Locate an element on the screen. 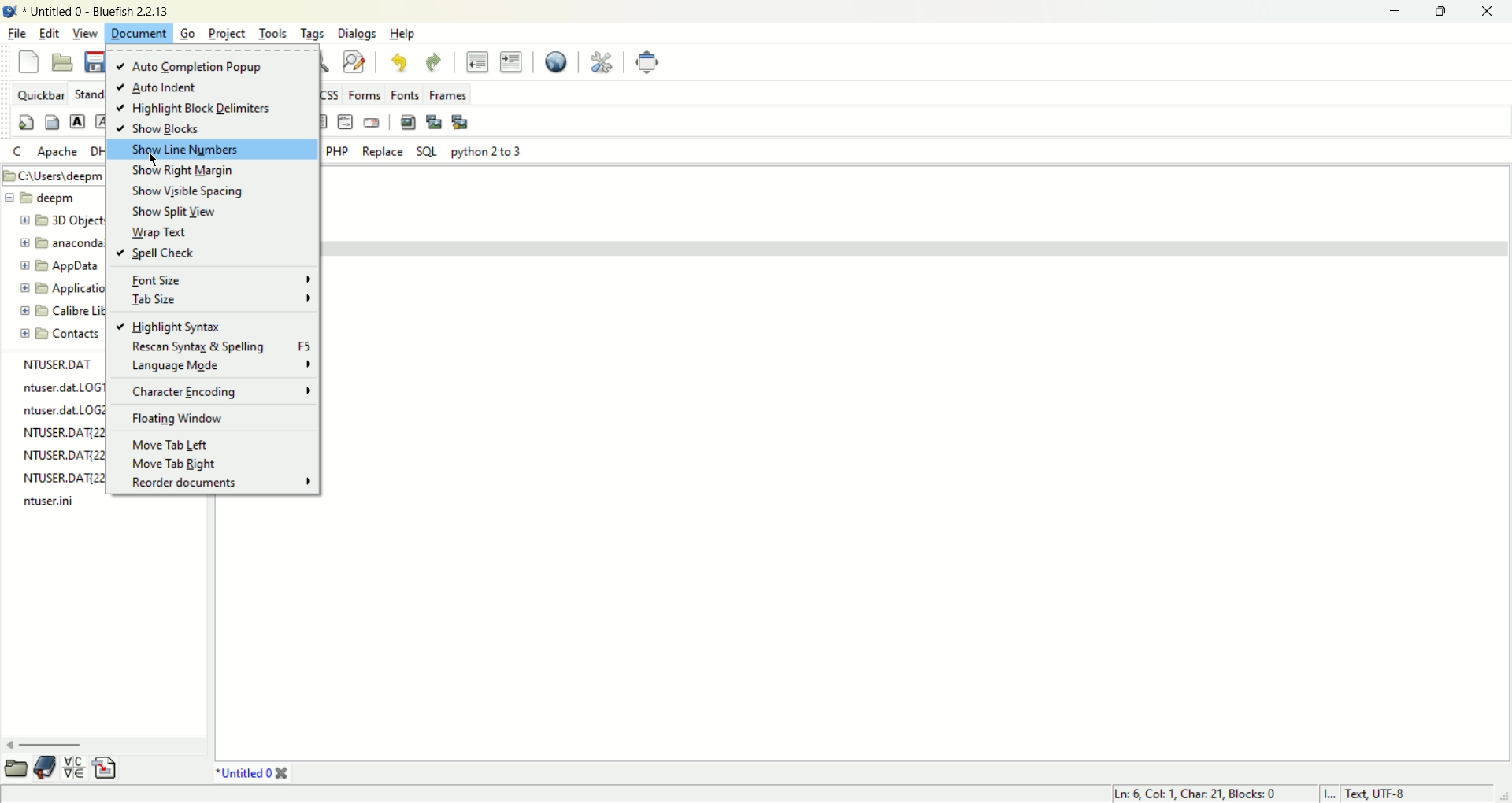 Image resolution: width=1512 pixels, height=803 pixels. NTUSER.DAT{22 is located at coordinates (65, 432).